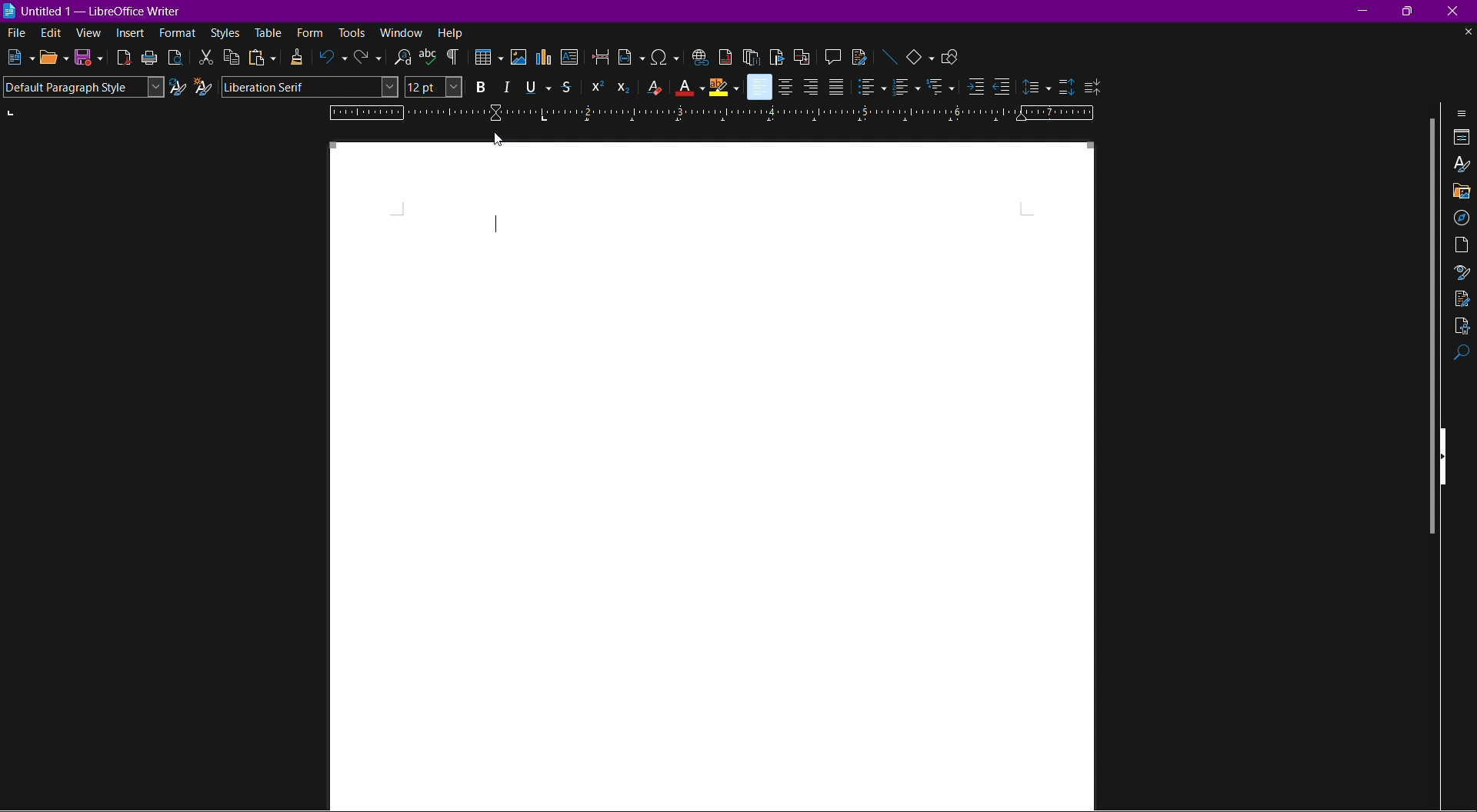 The width and height of the screenshot is (1477, 812). I want to click on Undo, so click(334, 59).